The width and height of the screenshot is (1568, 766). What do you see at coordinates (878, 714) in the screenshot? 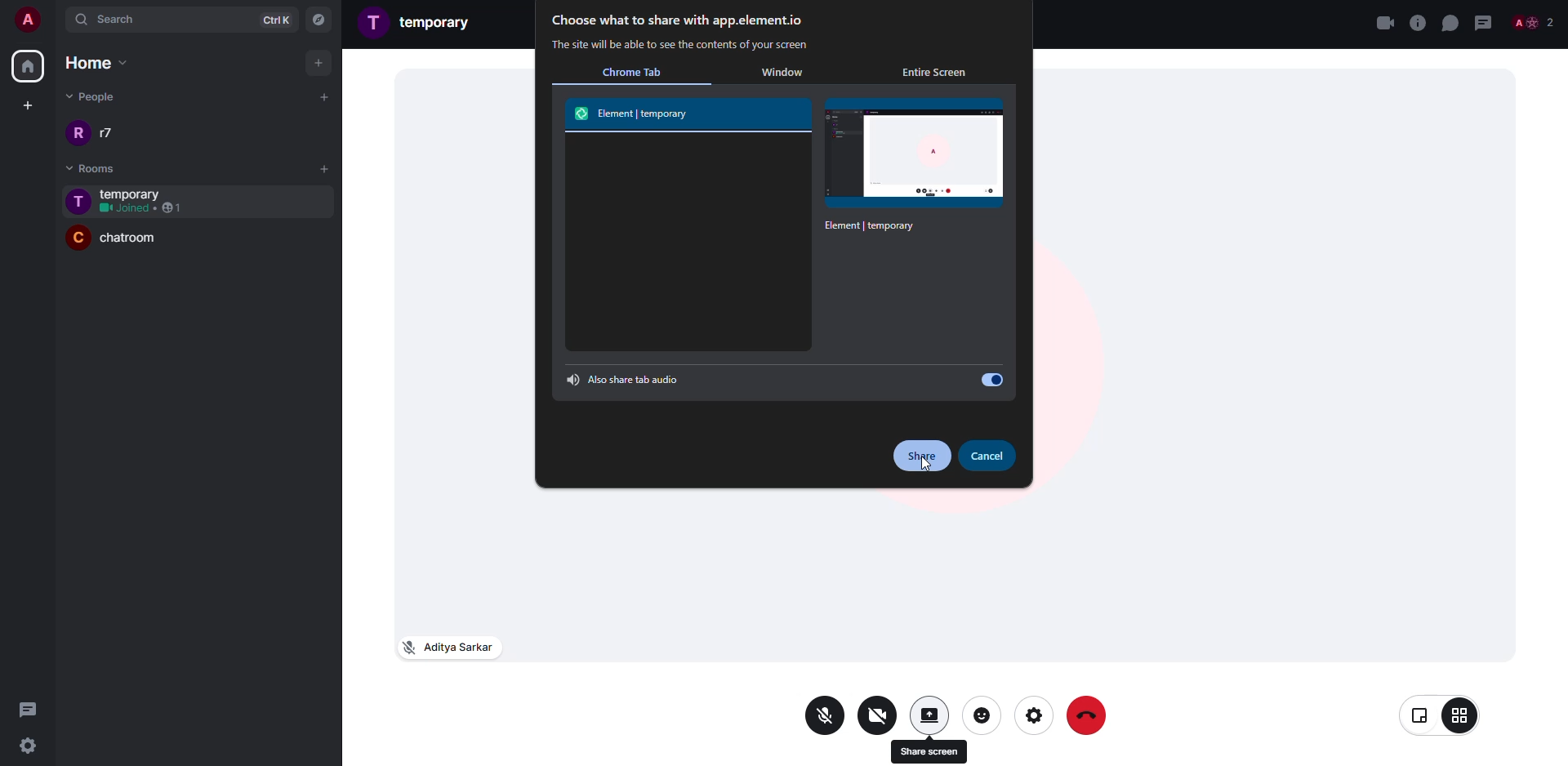
I see `video off` at bounding box center [878, 714].